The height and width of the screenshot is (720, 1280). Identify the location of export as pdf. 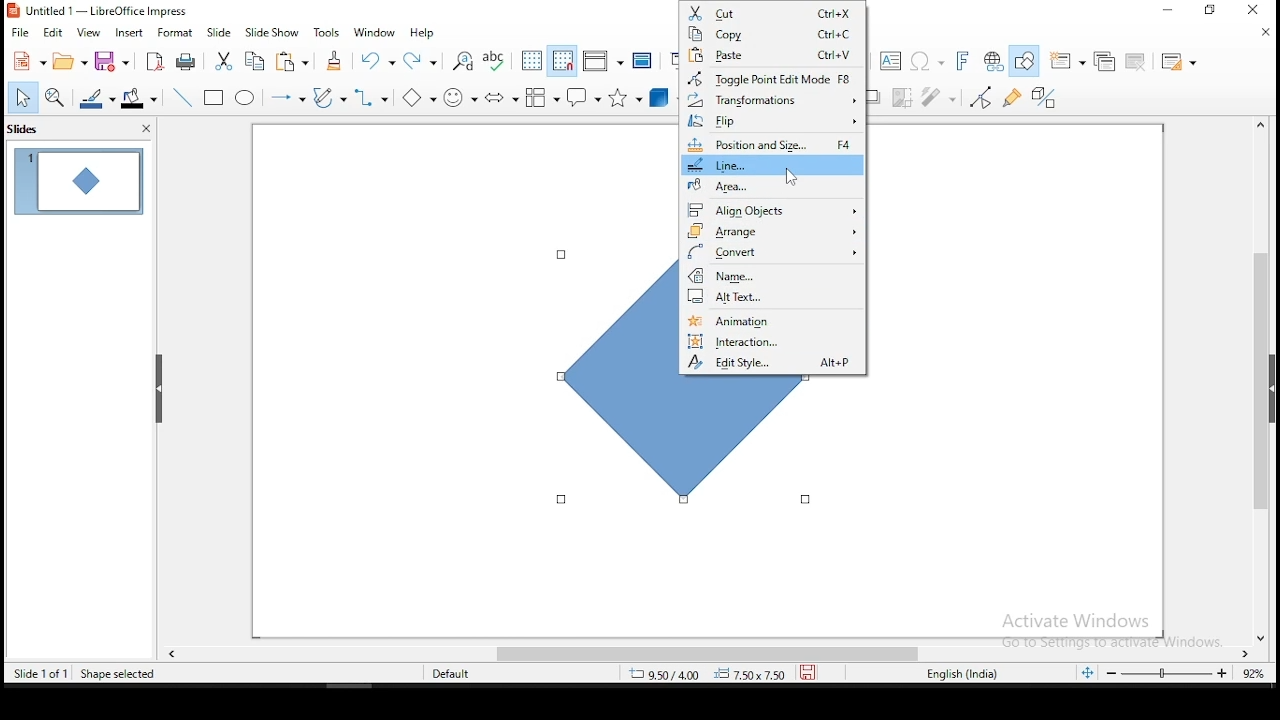
(155, 61).